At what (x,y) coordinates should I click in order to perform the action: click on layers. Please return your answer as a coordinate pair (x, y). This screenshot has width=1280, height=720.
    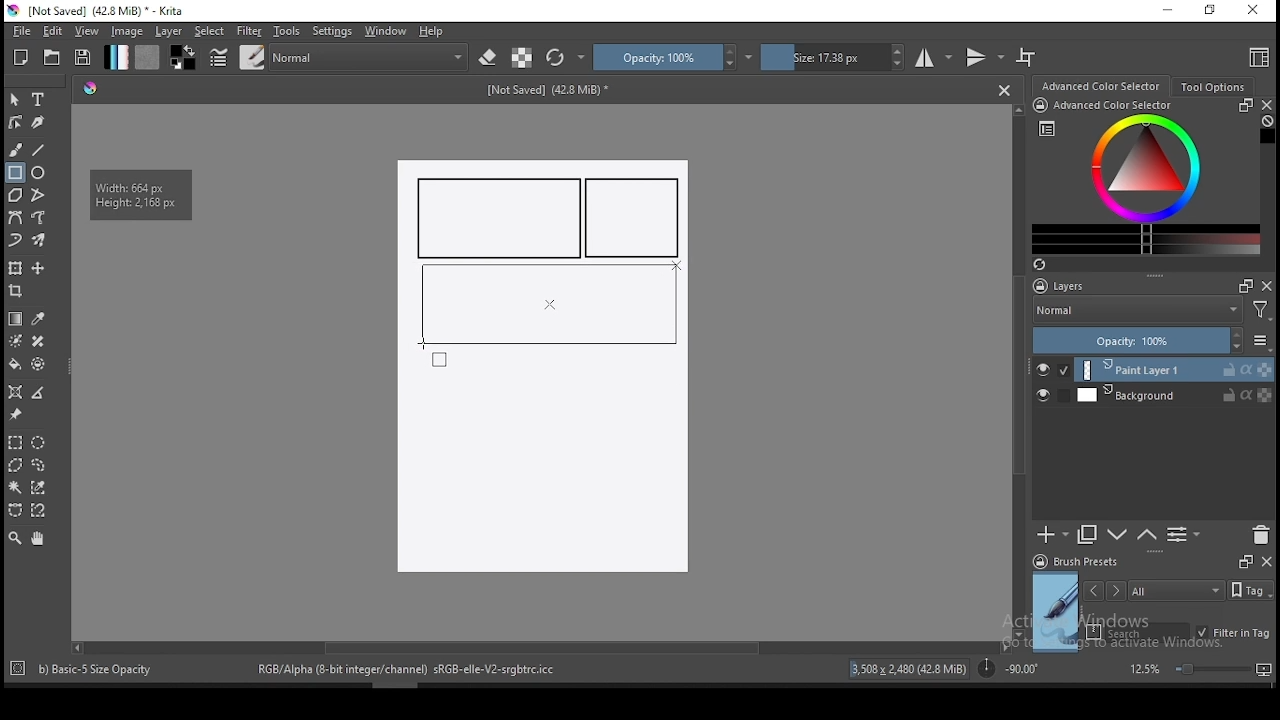
    Looking at the image, I should click on (1065, 287).